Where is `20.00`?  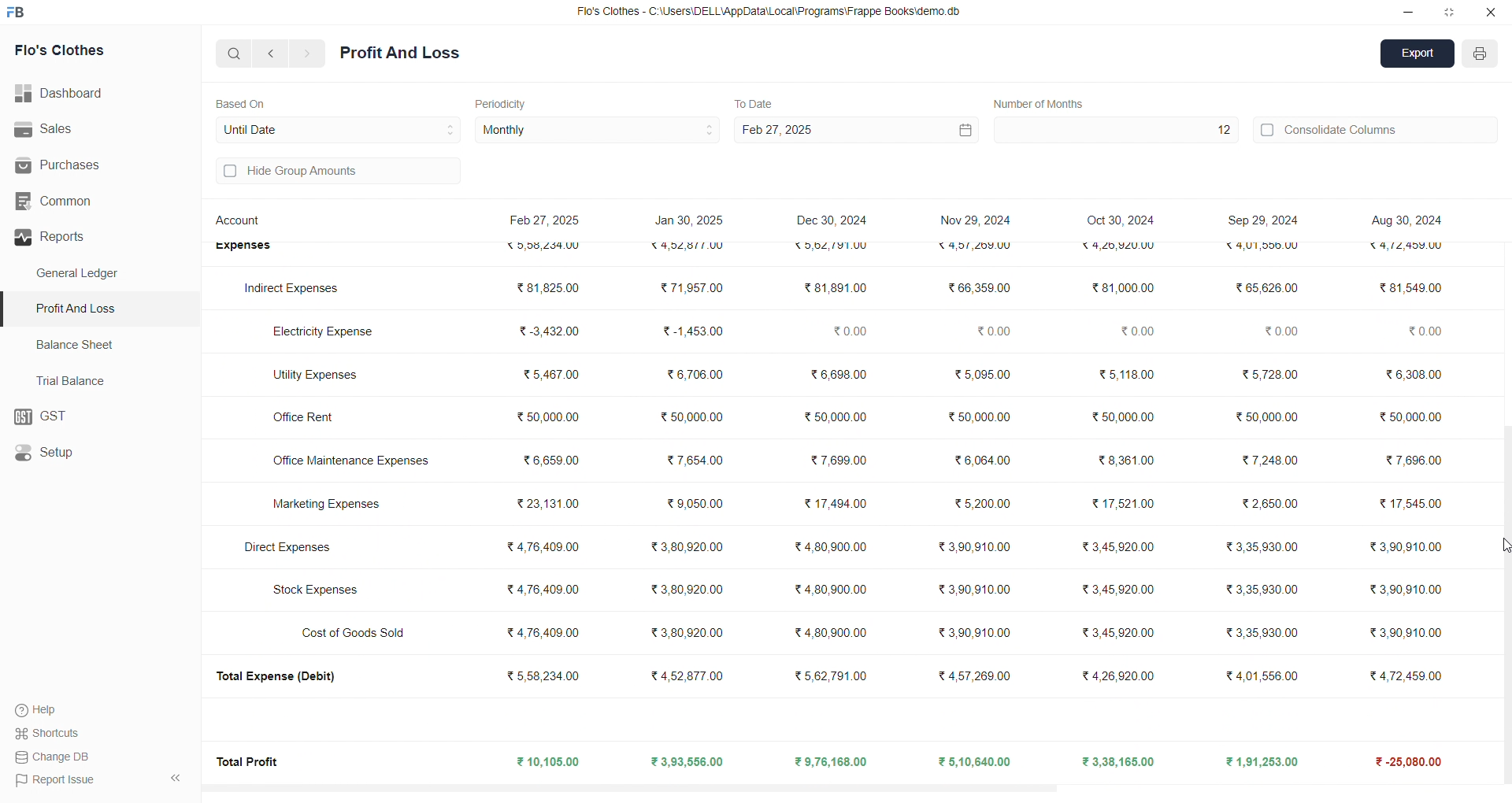 20.00 is located at coordinates (1414, 332).